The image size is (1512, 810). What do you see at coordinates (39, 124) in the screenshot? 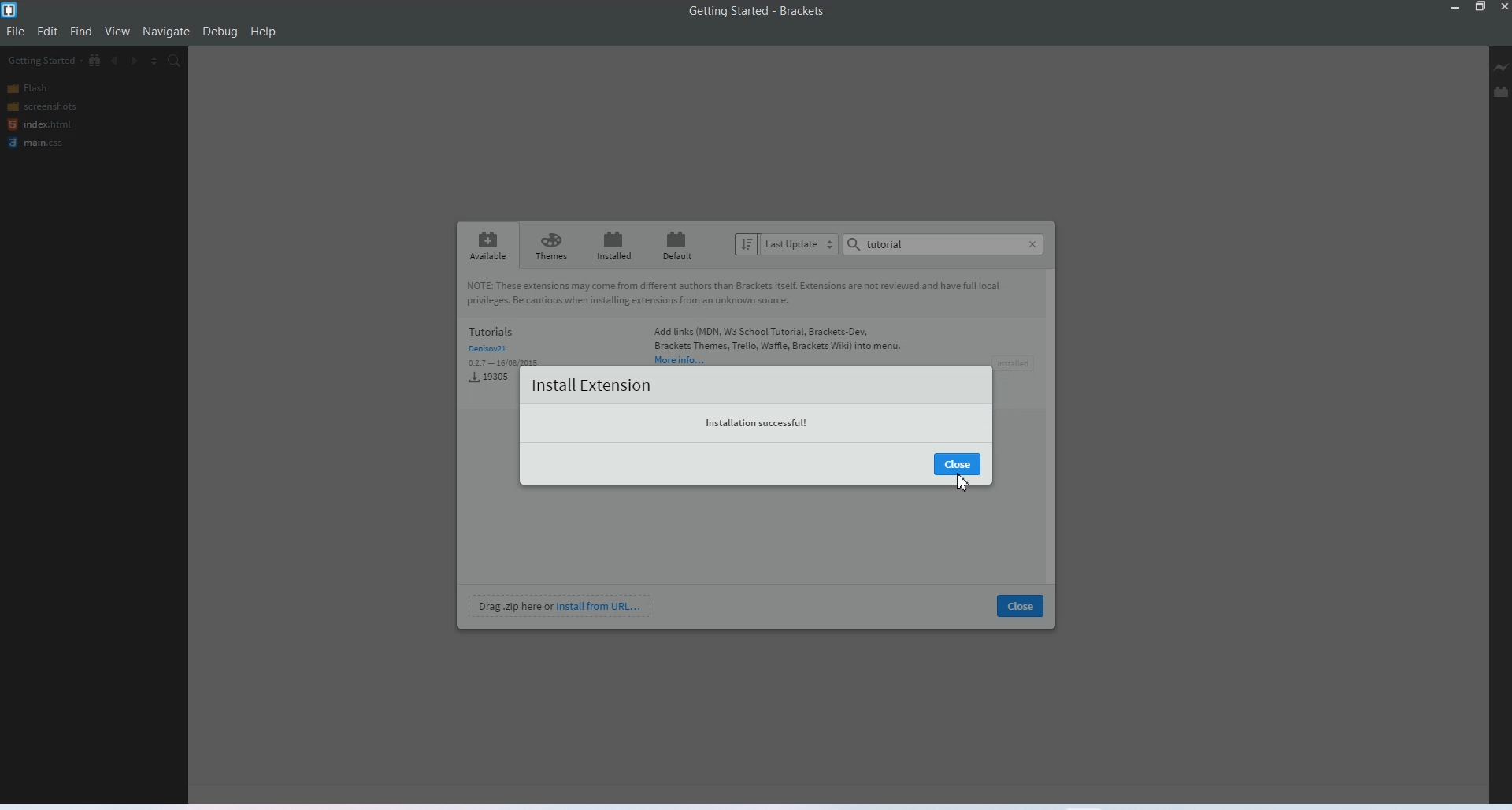
I see `index.html` at bounding box center [39, 124].